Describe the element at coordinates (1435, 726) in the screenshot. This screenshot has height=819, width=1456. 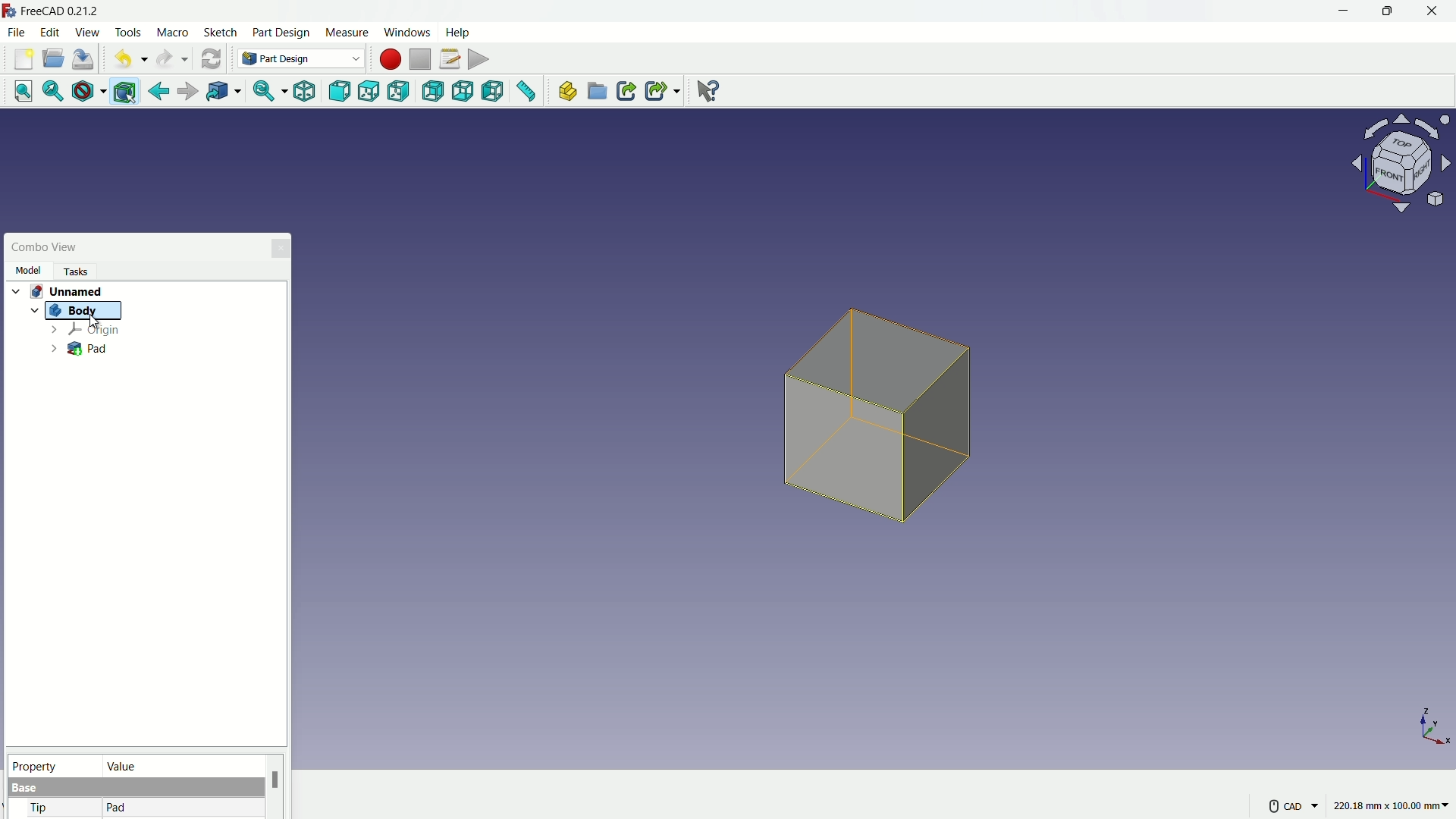
I see `axis` at that location.